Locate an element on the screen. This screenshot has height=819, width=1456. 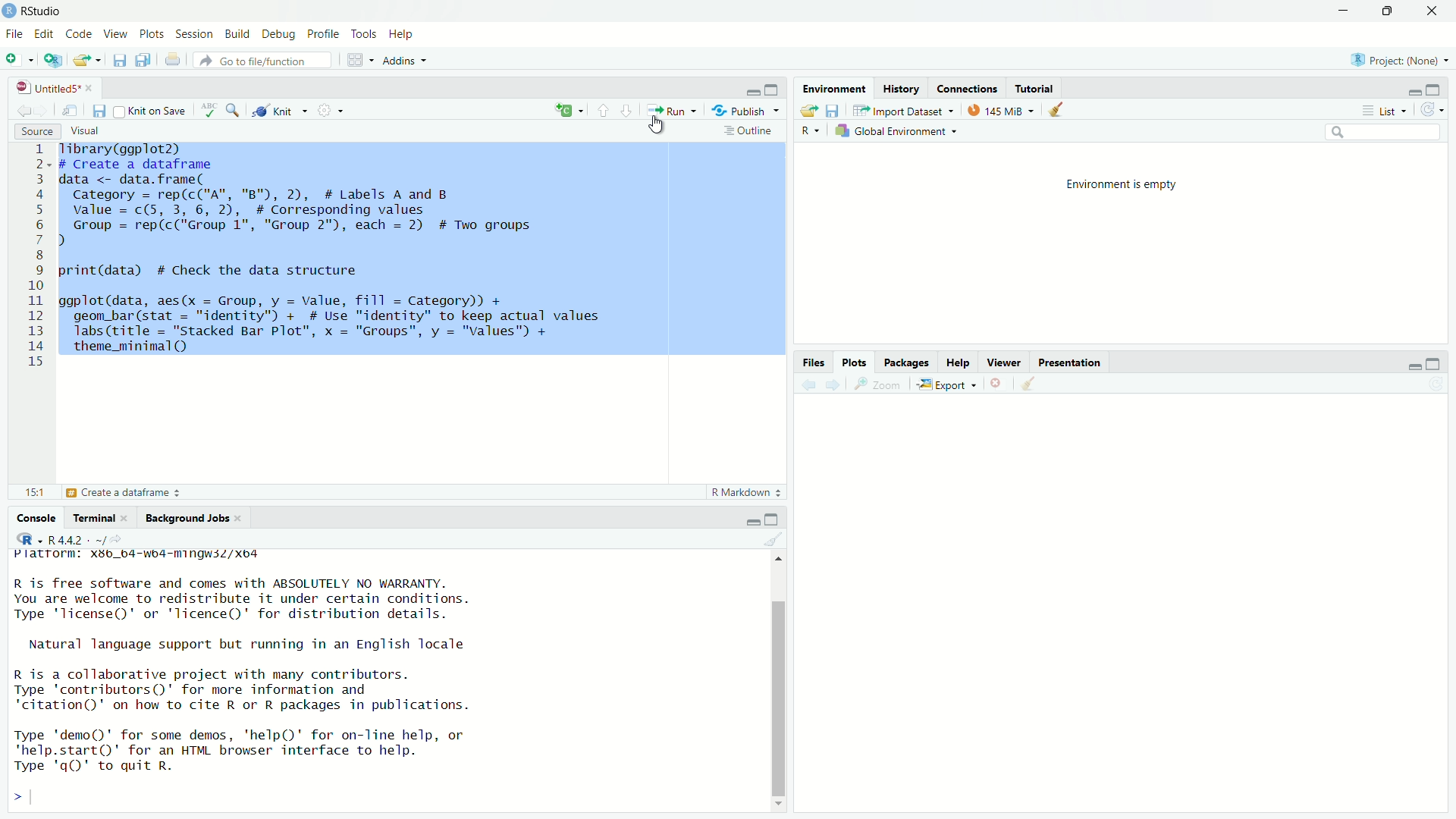
Minimize is located at coordinates (752, 91).